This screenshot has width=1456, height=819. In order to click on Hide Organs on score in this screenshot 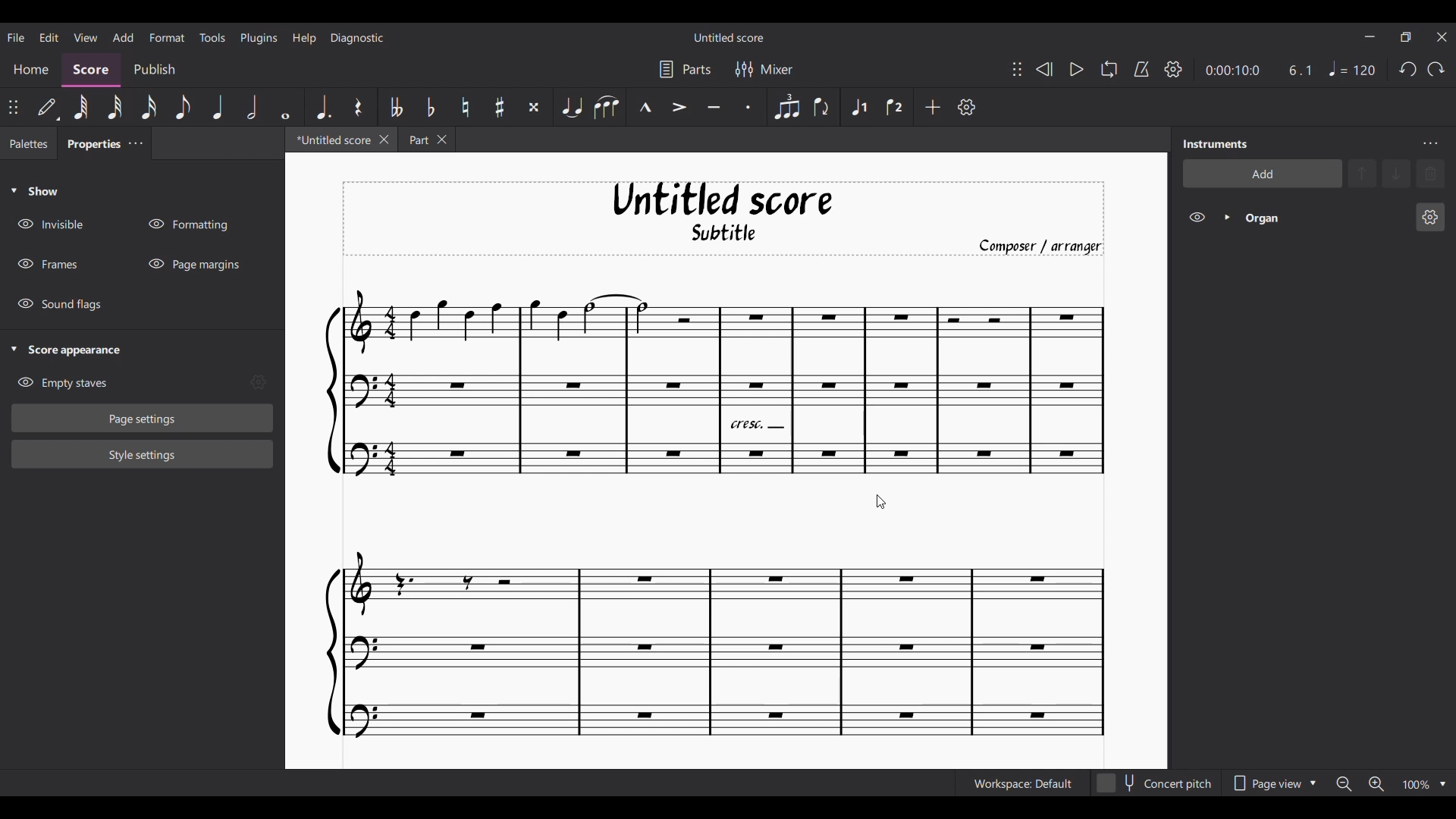, I will do `click(1197, 218)`.